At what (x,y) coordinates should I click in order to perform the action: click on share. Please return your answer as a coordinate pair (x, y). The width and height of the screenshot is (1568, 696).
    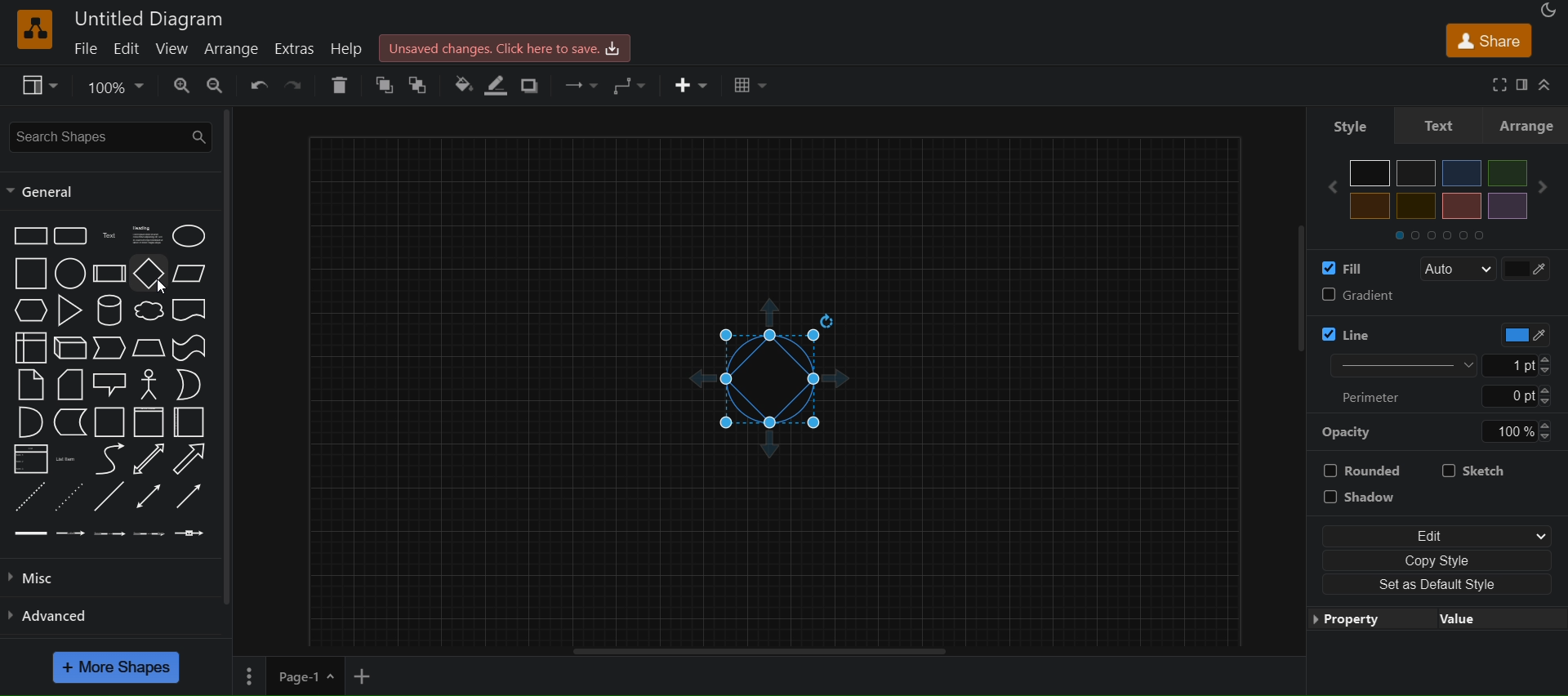
    Looking at the image, I should click on (1488, 39).